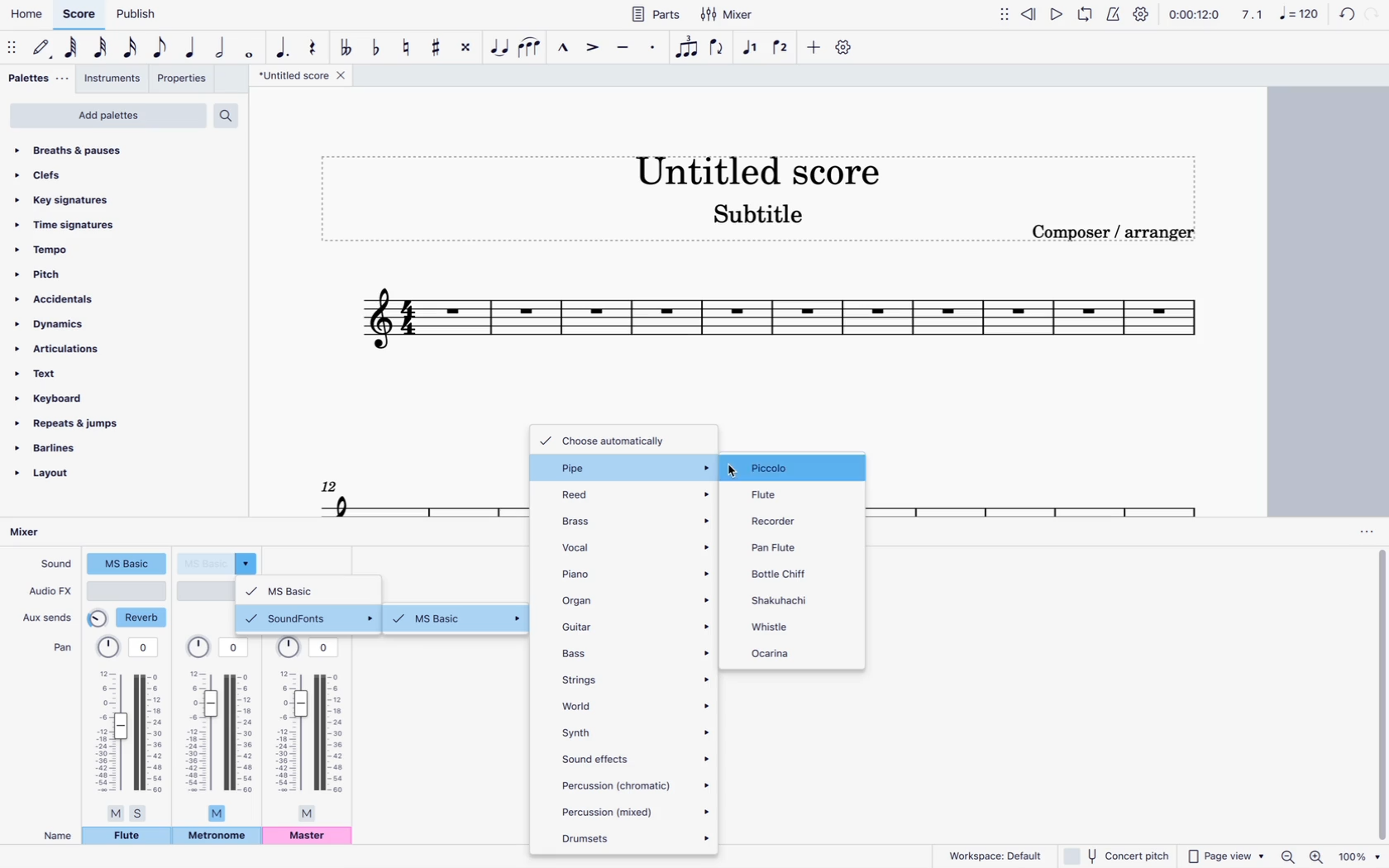  I want to click on time signatures, so click(103, 222).